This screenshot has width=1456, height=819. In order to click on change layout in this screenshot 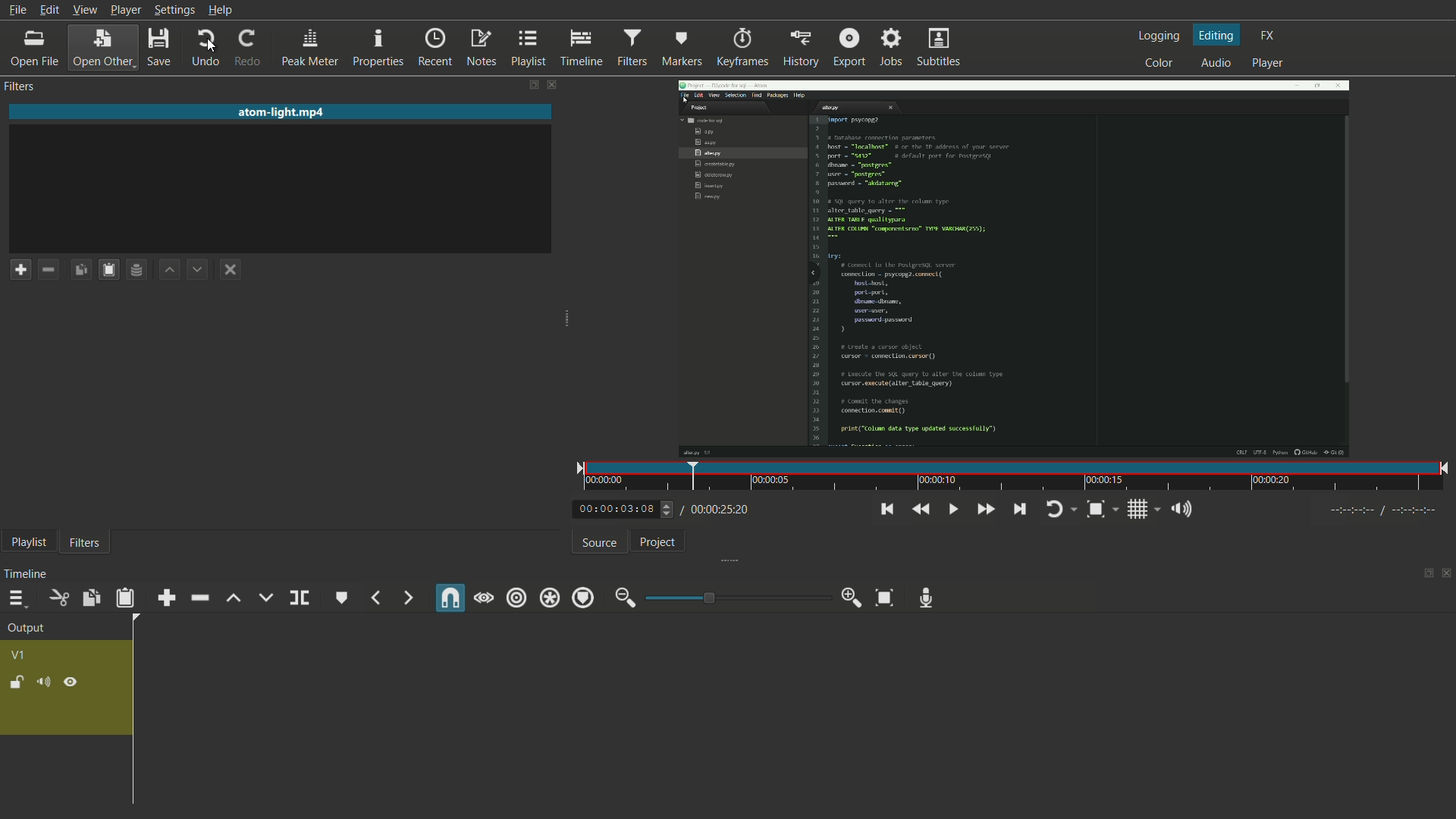, I will do `click(1426, 573)`.